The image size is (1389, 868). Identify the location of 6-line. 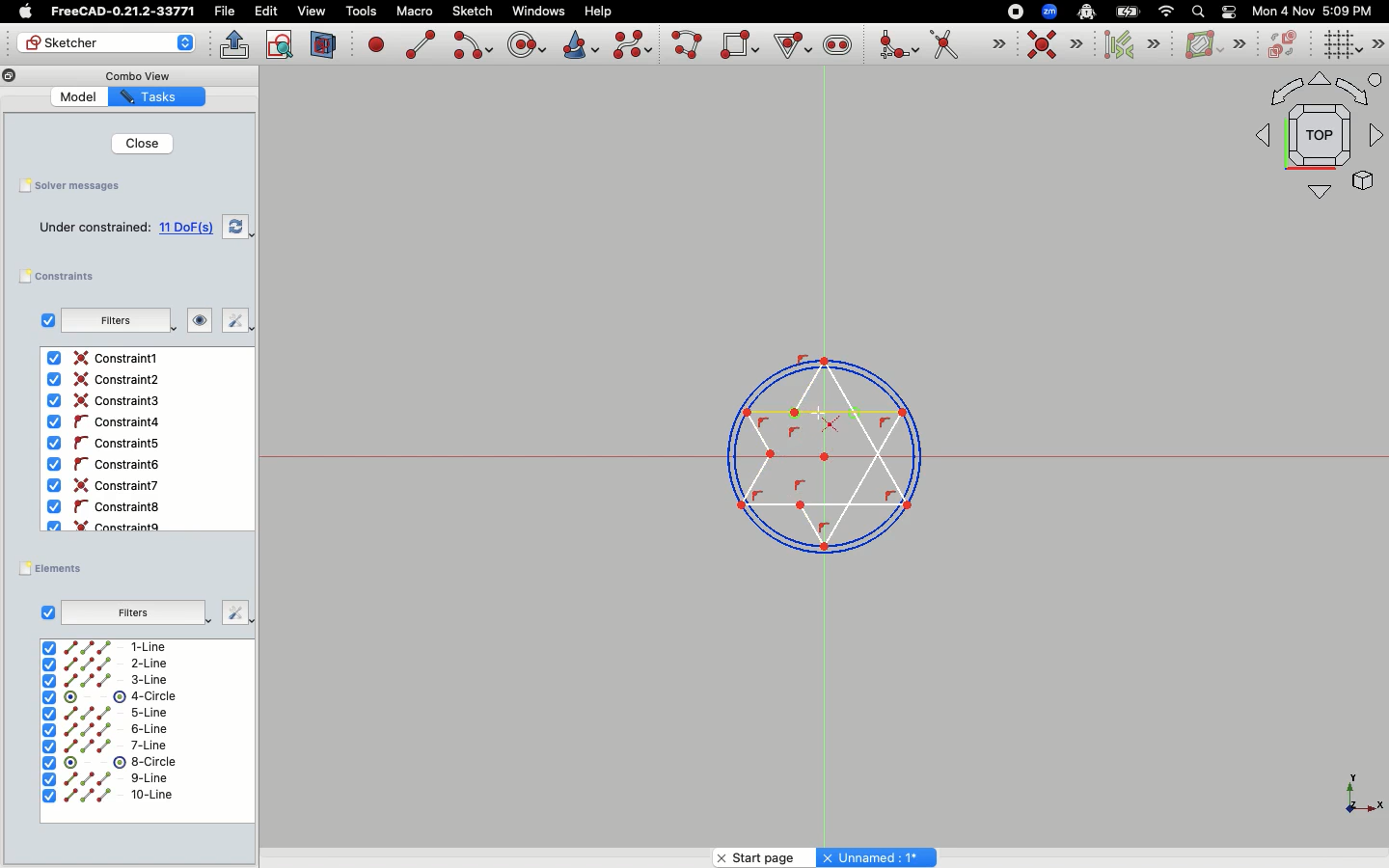
(104, 730).